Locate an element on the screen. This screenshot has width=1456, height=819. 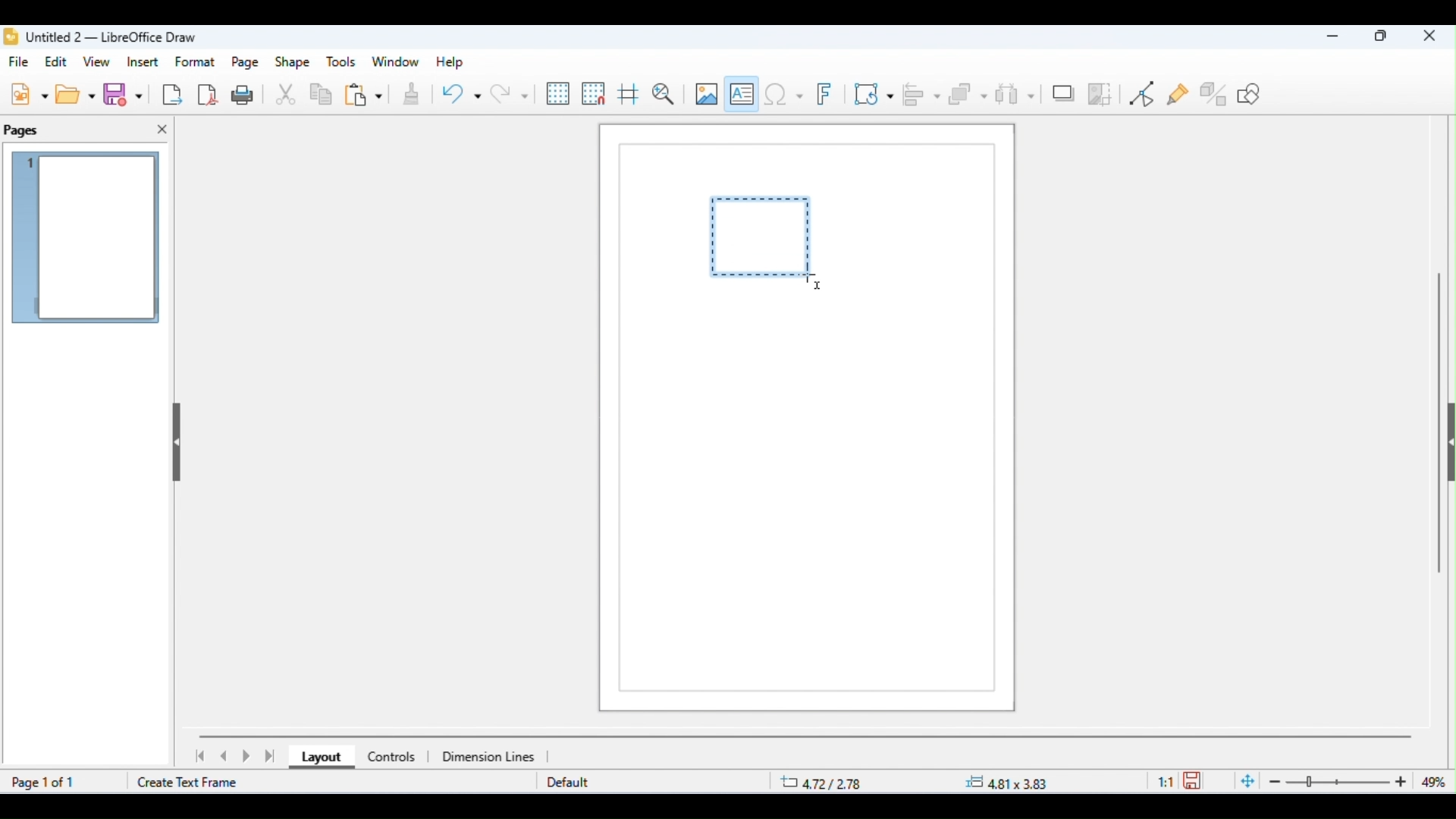
horizontal scroll bar is located at coordinates (806, 736).